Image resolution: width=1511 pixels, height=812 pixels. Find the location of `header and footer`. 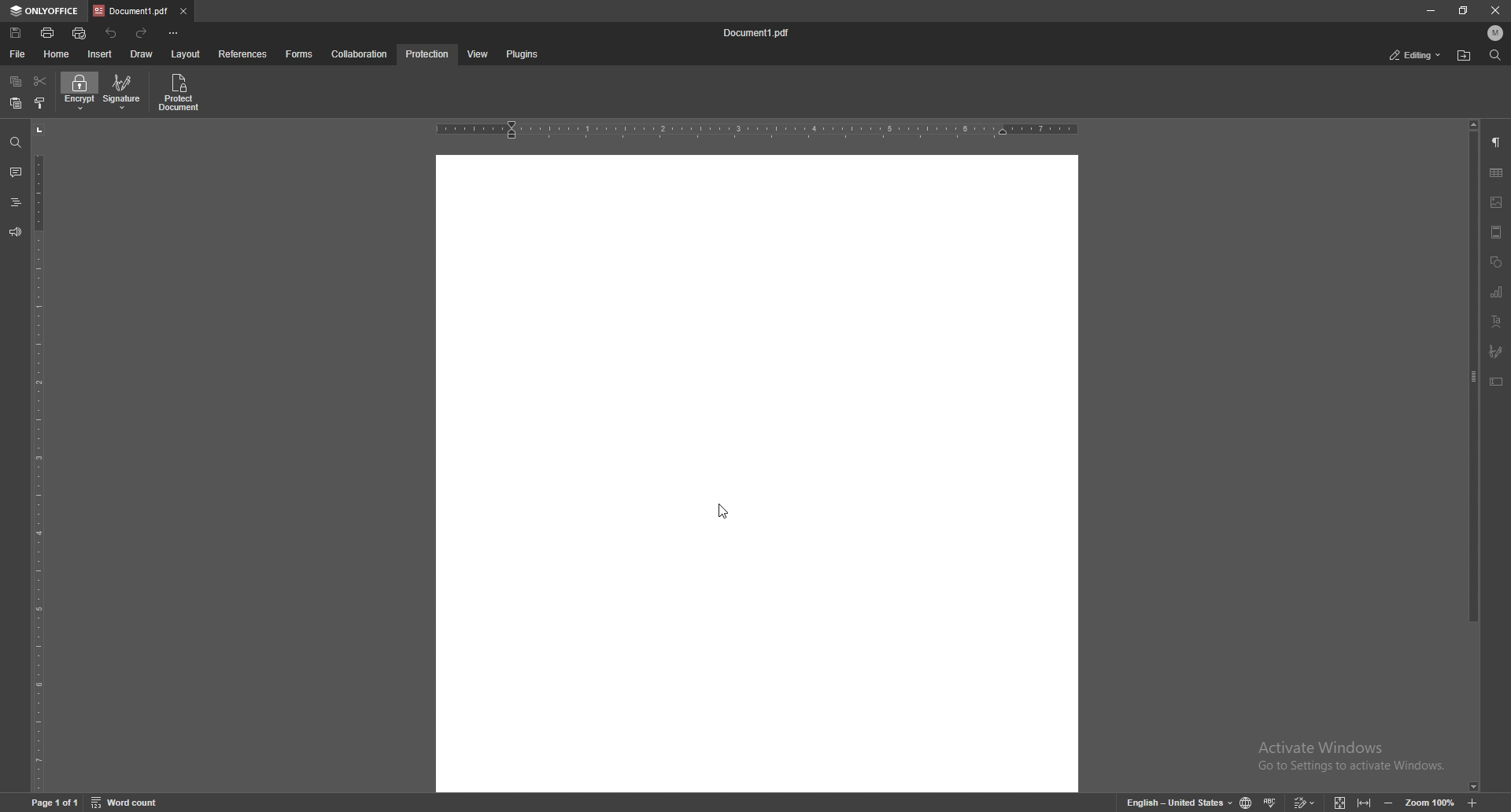

header and footer is located at coordinates (1496, 232).